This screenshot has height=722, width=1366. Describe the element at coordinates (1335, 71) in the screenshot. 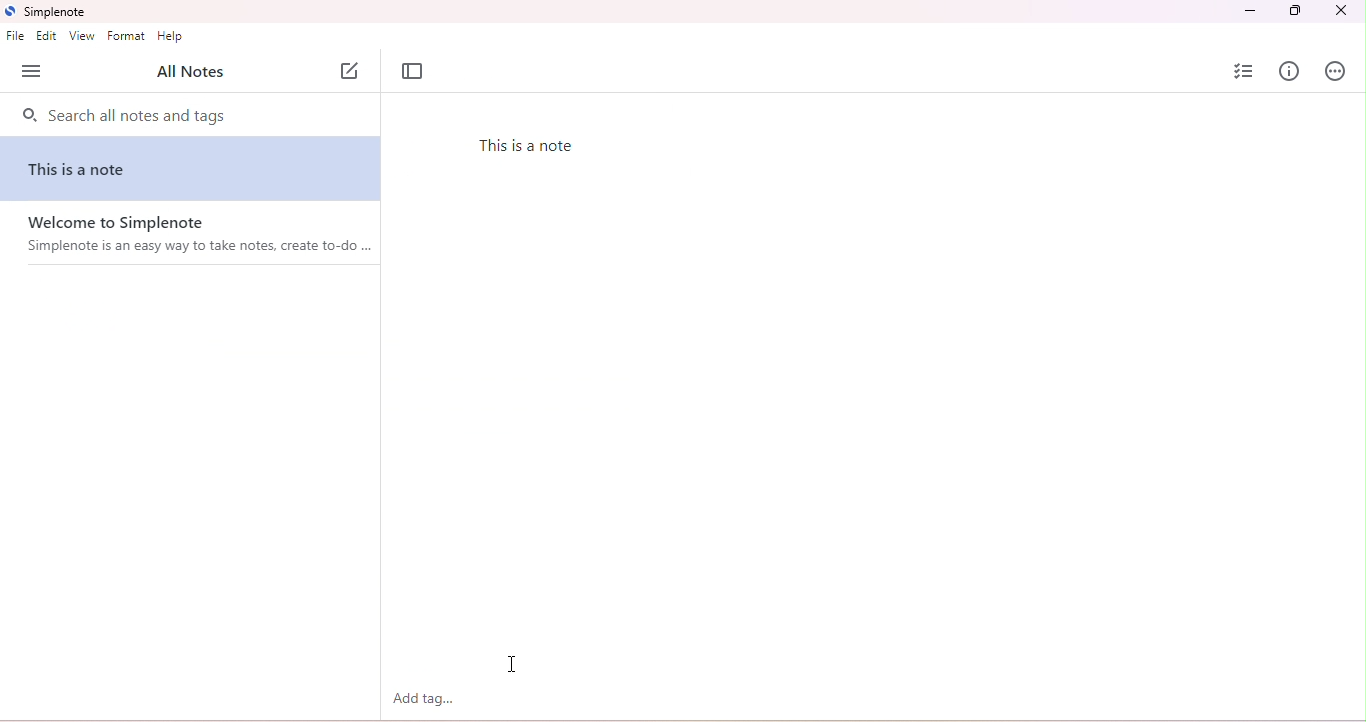

I see `options` at that location.